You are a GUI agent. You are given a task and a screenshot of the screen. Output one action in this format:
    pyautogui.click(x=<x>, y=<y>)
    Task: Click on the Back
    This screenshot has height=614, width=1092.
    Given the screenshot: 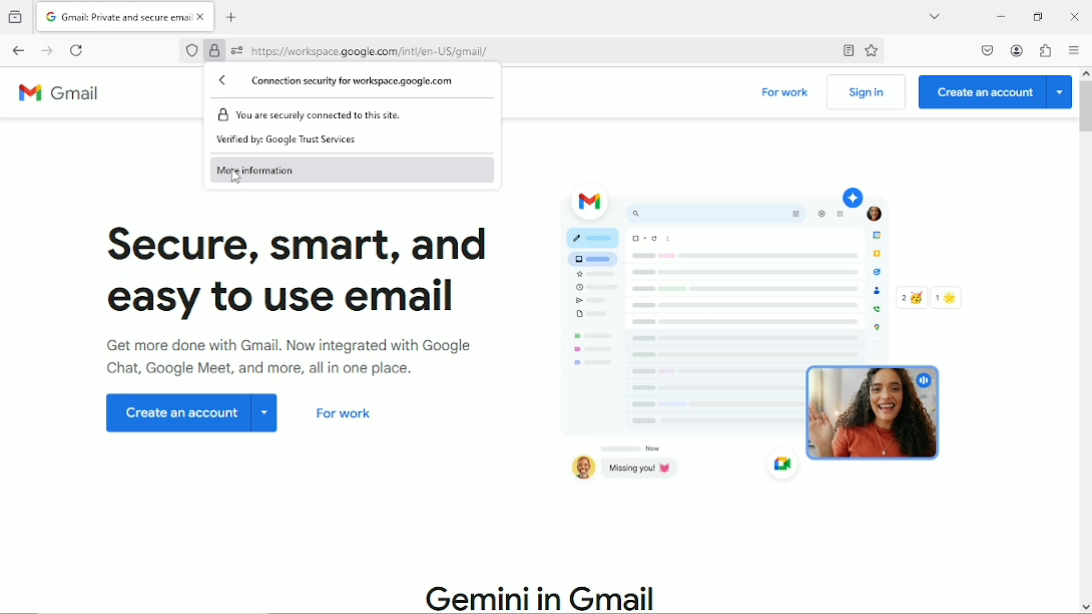 What is the action you would take?
    pyautogui.click(x=220, y=80)
    